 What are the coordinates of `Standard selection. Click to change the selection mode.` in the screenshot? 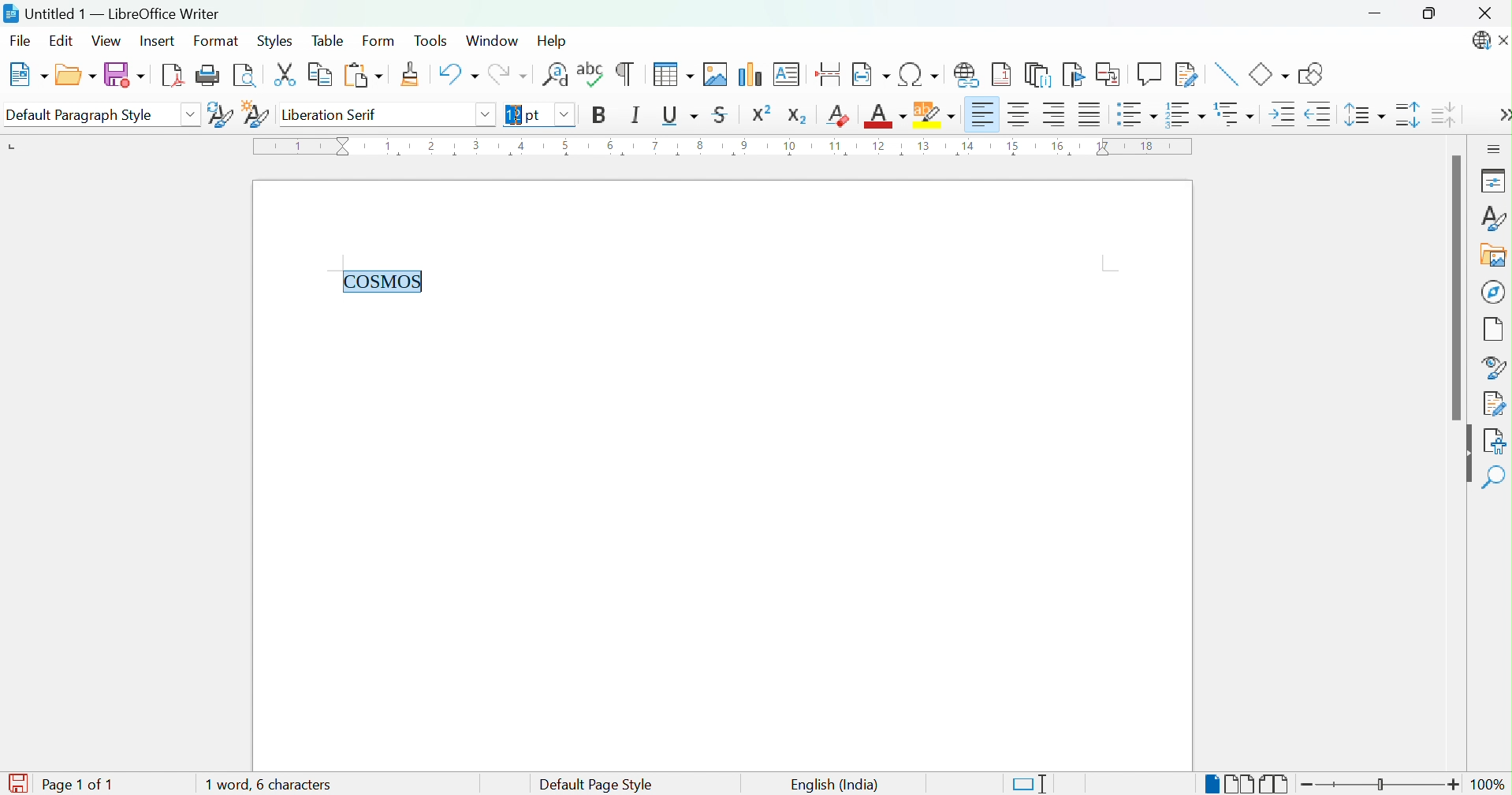 It's located at (1030, 784).